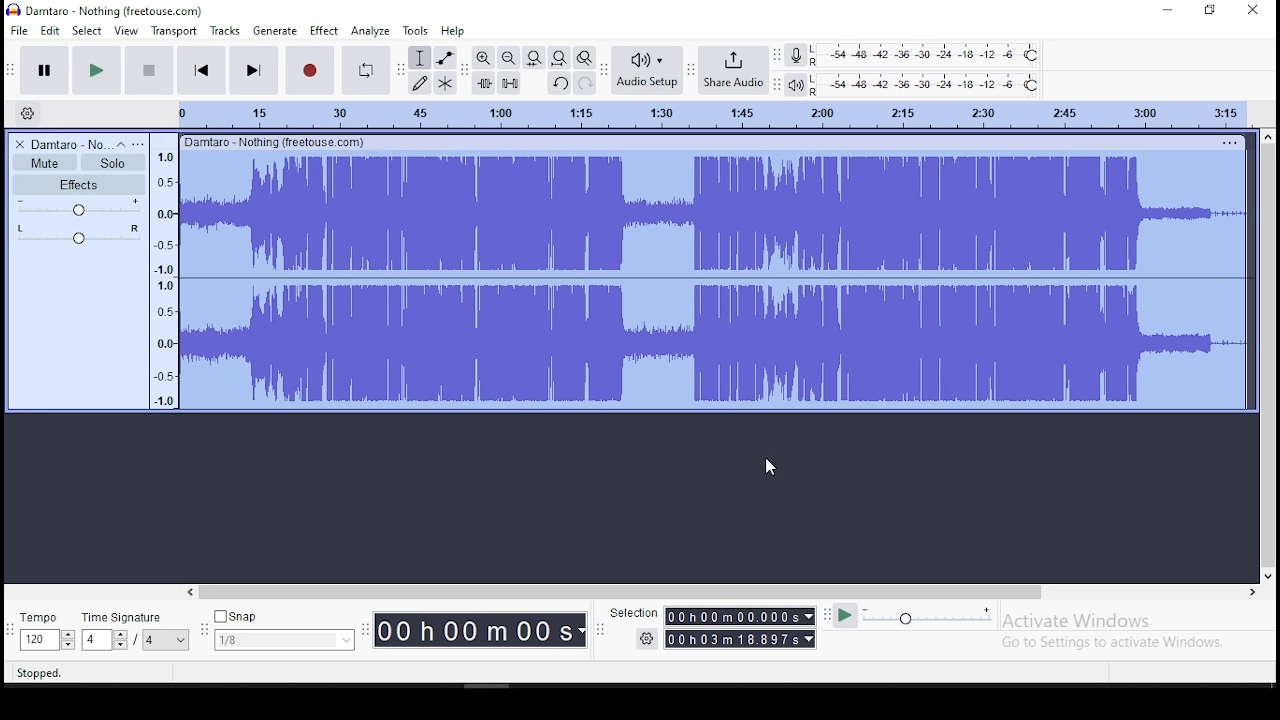  What do you see at coordinates (44, 69) in the screenshot?
I see `pause` at bounding box center [44, 69].